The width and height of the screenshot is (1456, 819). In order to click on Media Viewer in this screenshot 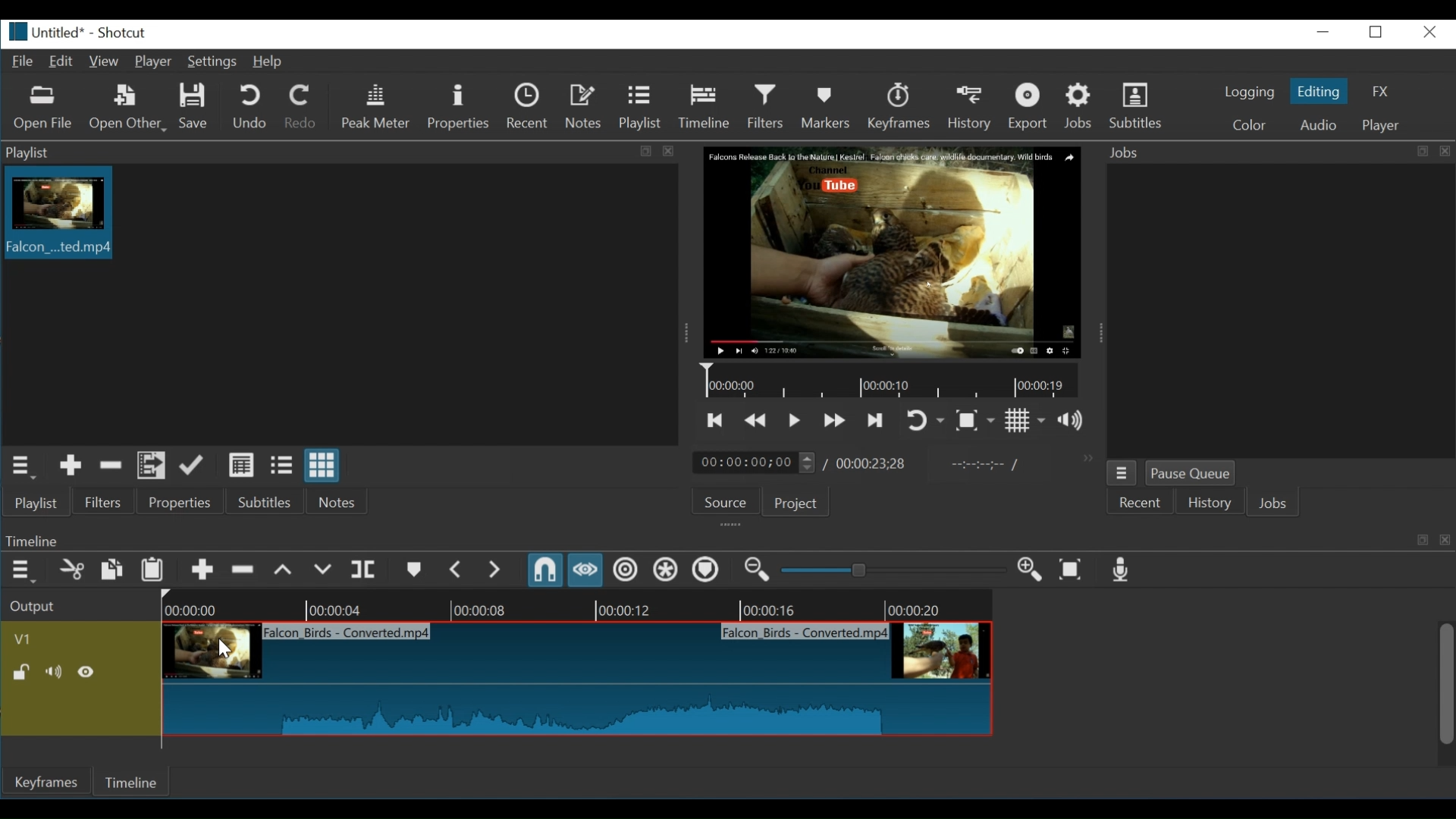, I will do `click(894, 253)`.